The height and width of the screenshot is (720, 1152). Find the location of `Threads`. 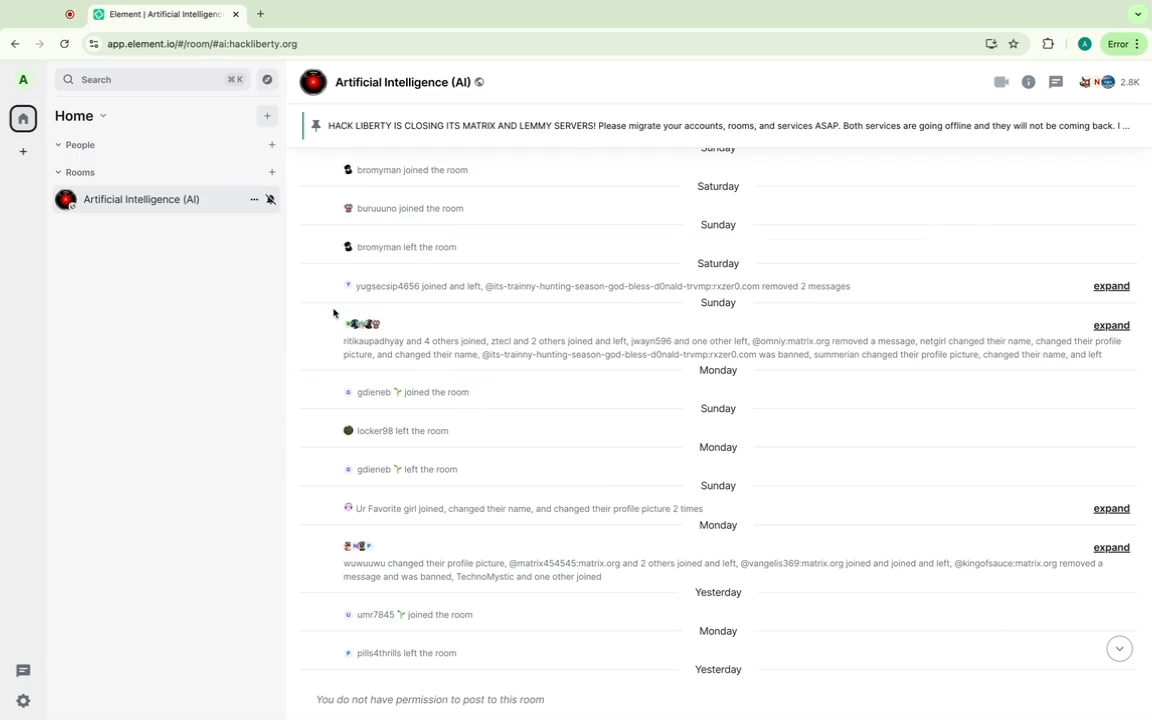

Threads is located at coordinates (1056, 82).